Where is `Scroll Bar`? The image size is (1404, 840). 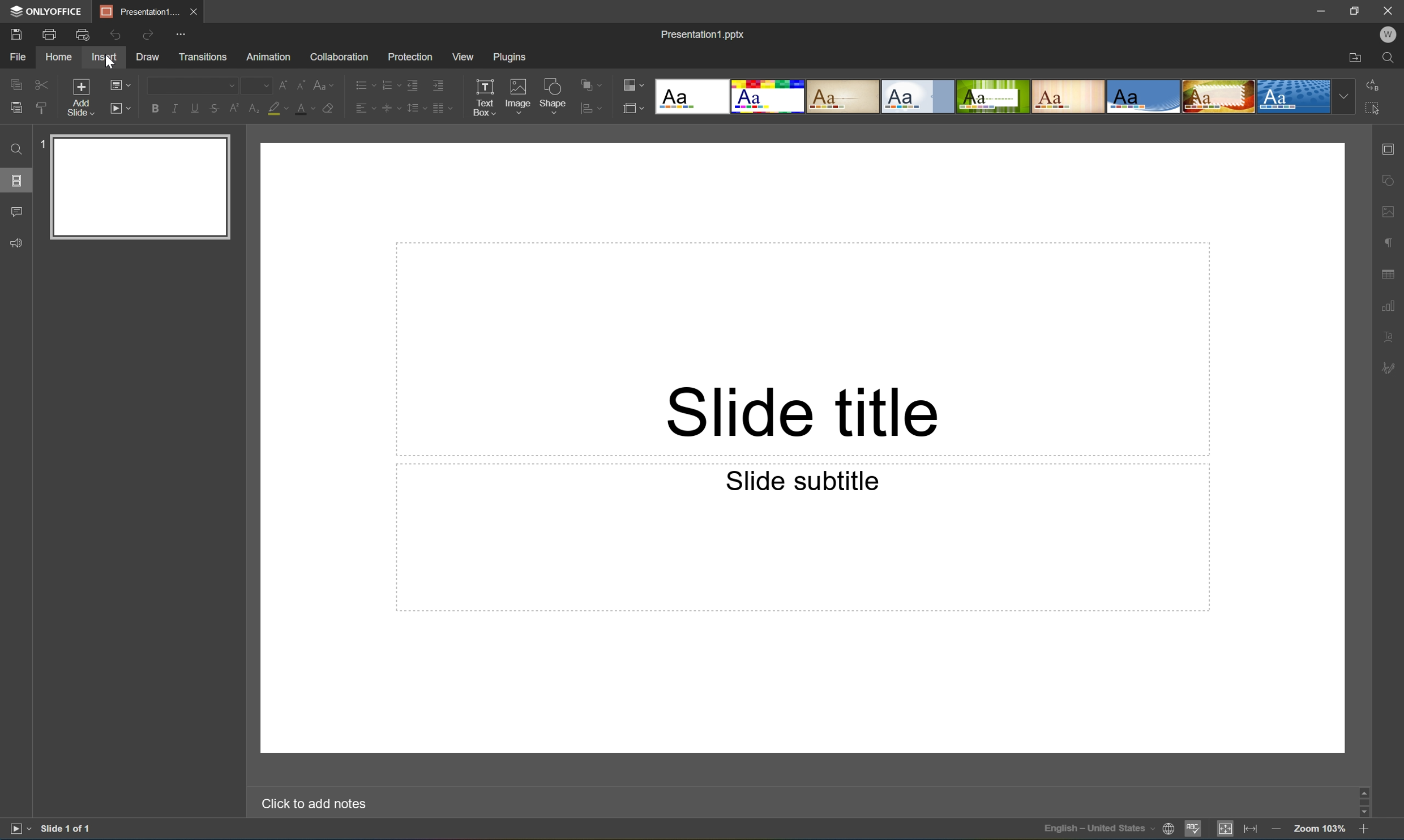
Scroll Bar is located at coordinates (1361, 798).